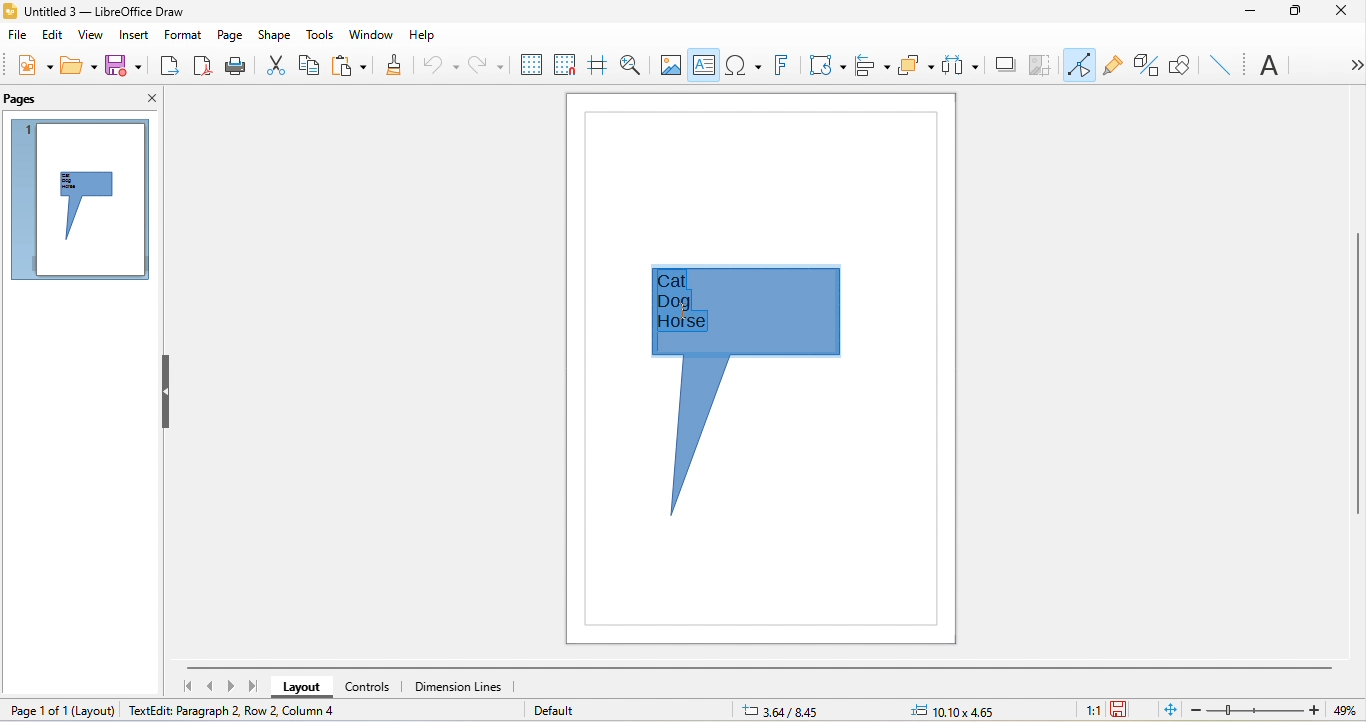 This screenshot has width=1366, height=722. What do you see at coordinates (181, 37) in the screenshot?
I see `format` at bounding box center [181, 37].